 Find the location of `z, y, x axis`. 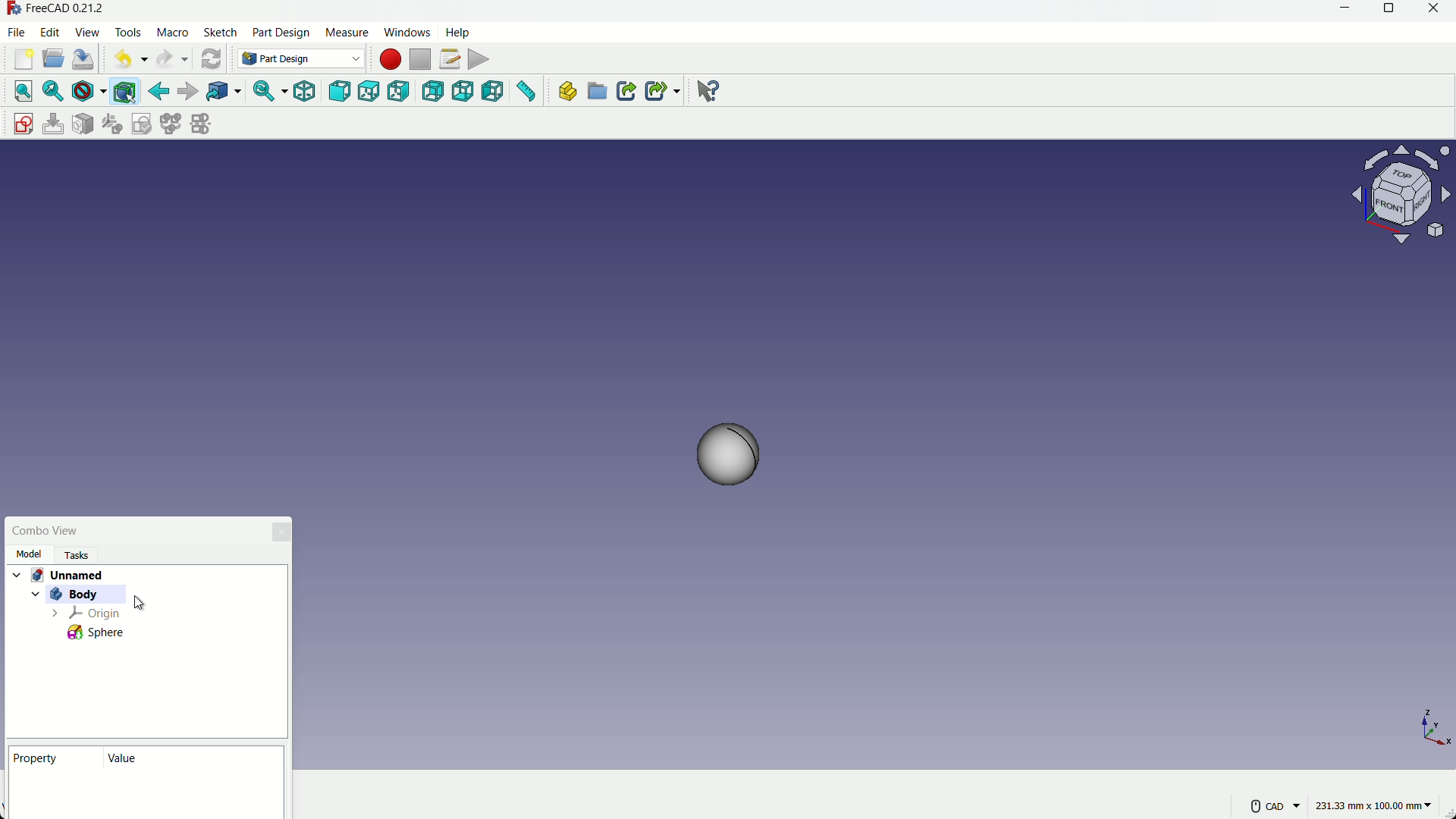

z, y, x axis is located at coordinates (1404, 715).